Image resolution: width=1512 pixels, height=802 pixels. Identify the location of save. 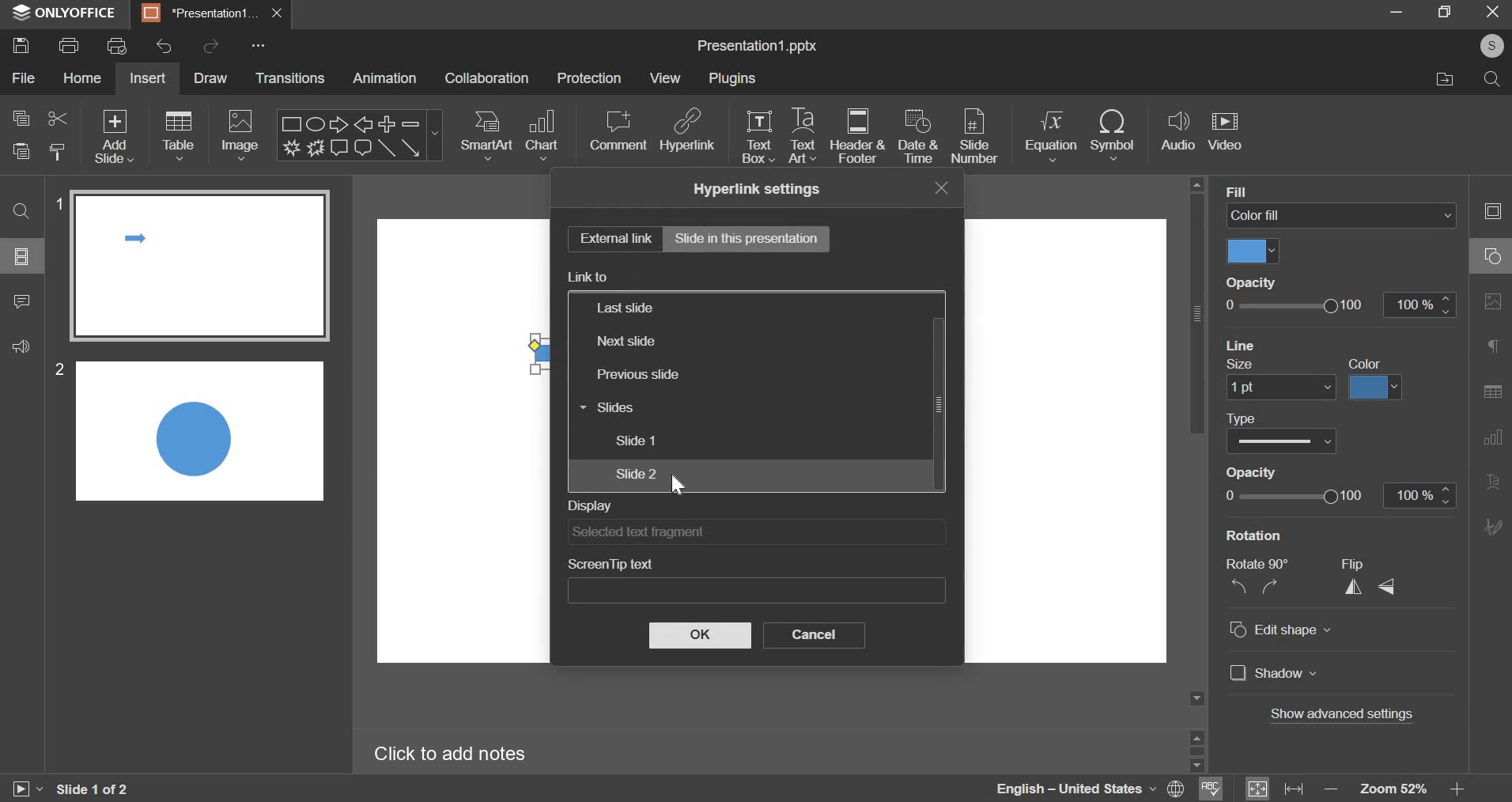
(22, 46).